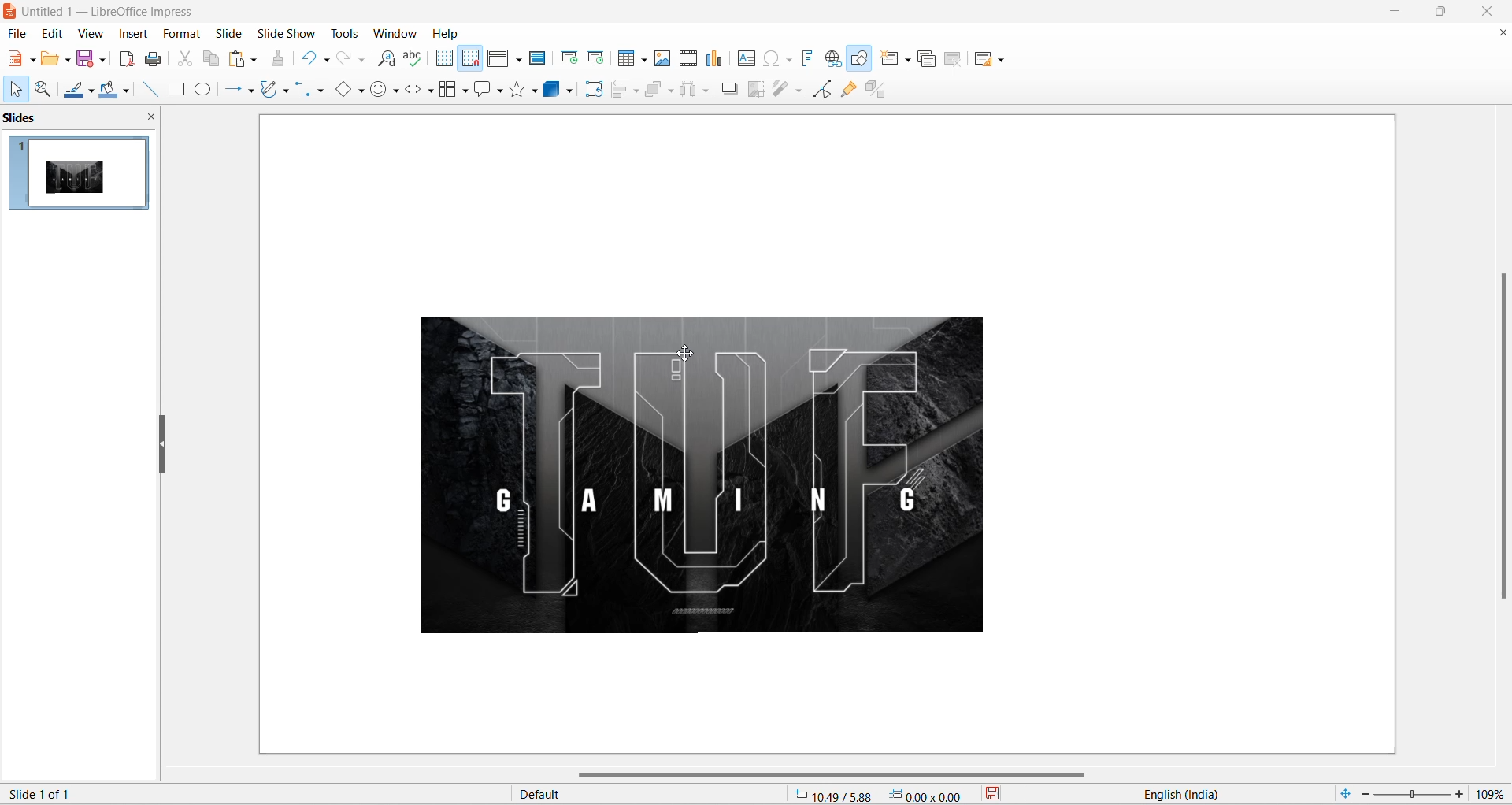  What do you see at coordinates (413, 92) in the screenshot?
I see `block arrows` at bounding box center [413, 92].